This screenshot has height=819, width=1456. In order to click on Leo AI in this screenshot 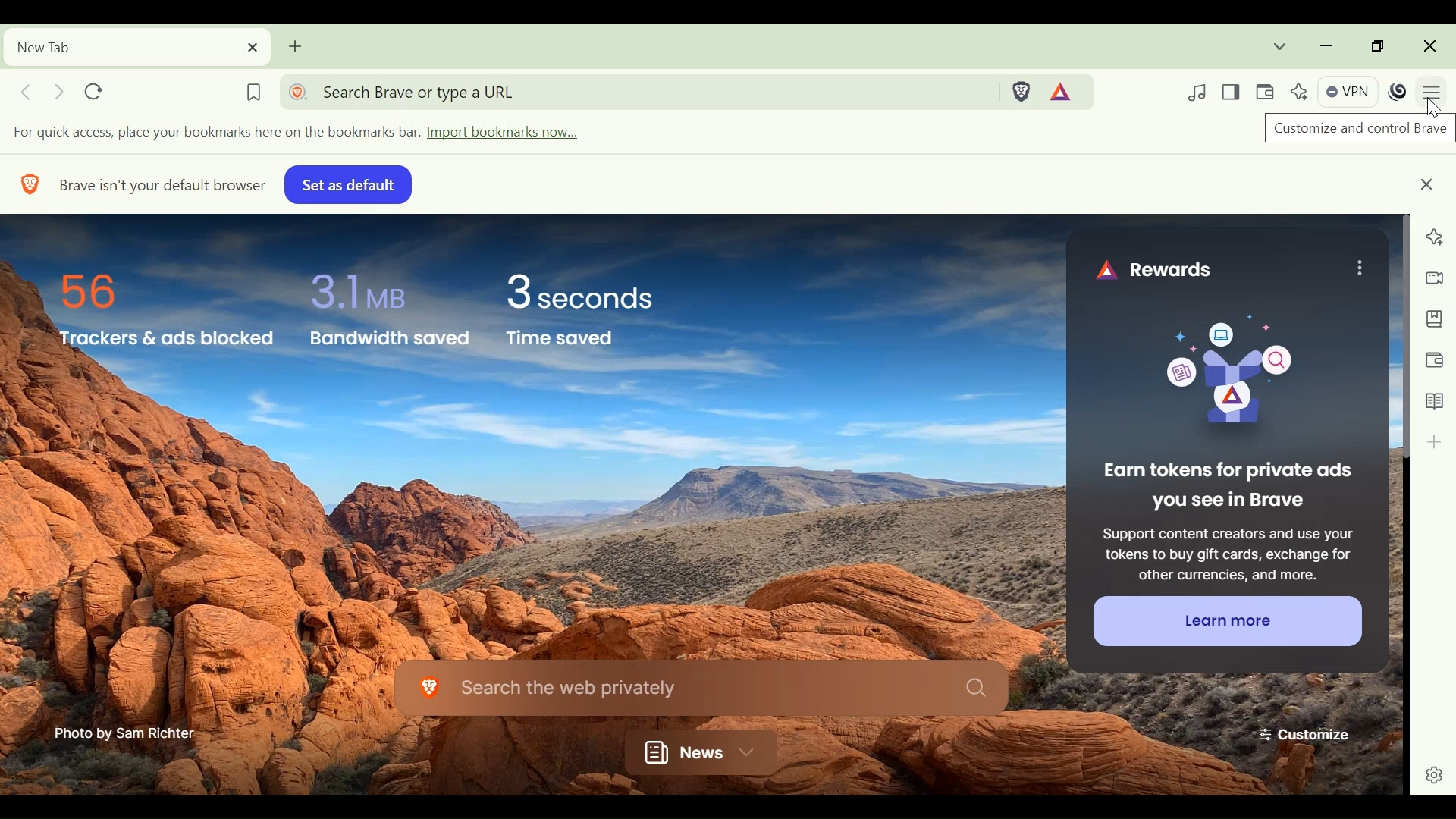, I will do `click(1298, 90)`.